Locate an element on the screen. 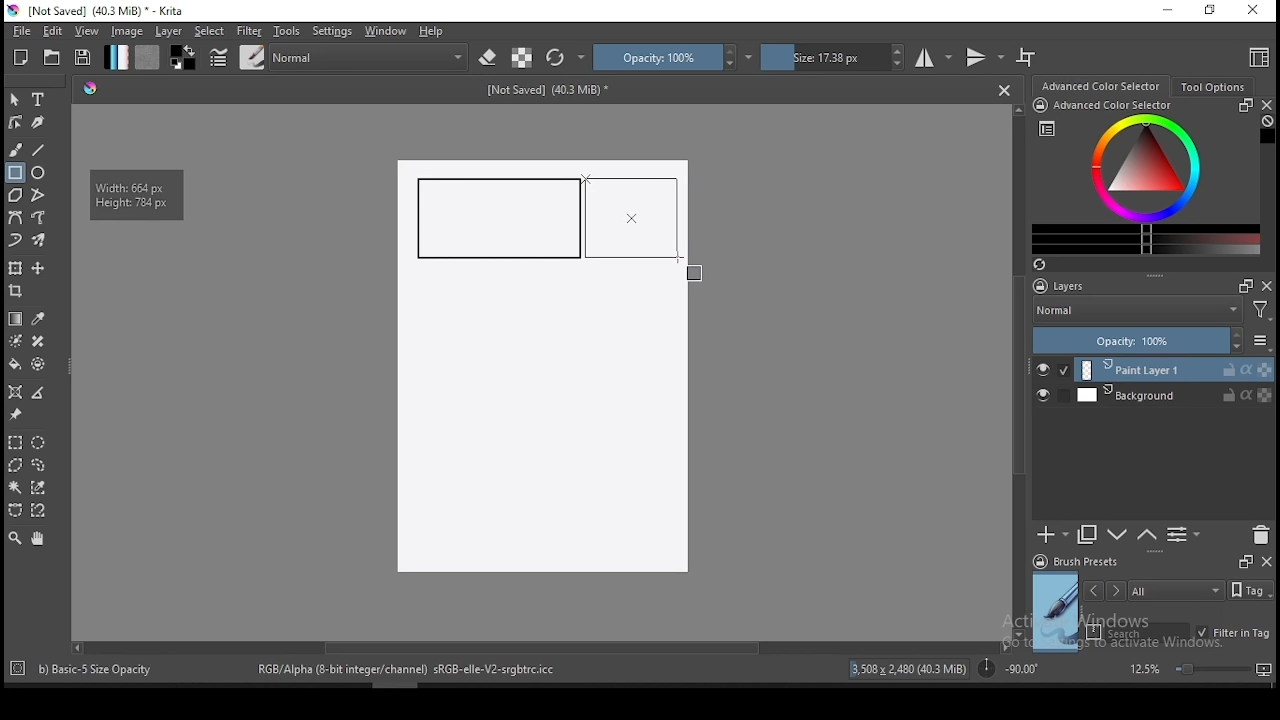 The width and height of the screenshot is (1280, 720). save is located at coordinates (83, 58).